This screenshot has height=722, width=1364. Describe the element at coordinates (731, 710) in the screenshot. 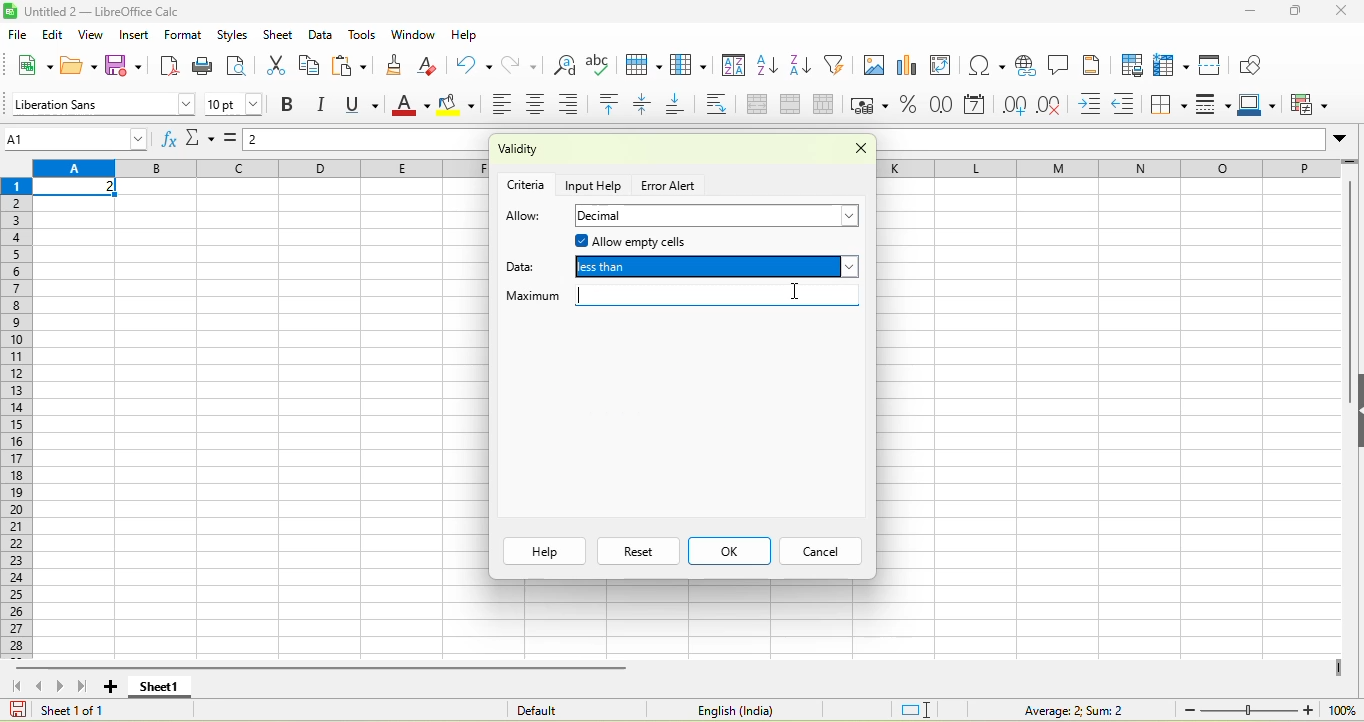

I see `text language` at that location.